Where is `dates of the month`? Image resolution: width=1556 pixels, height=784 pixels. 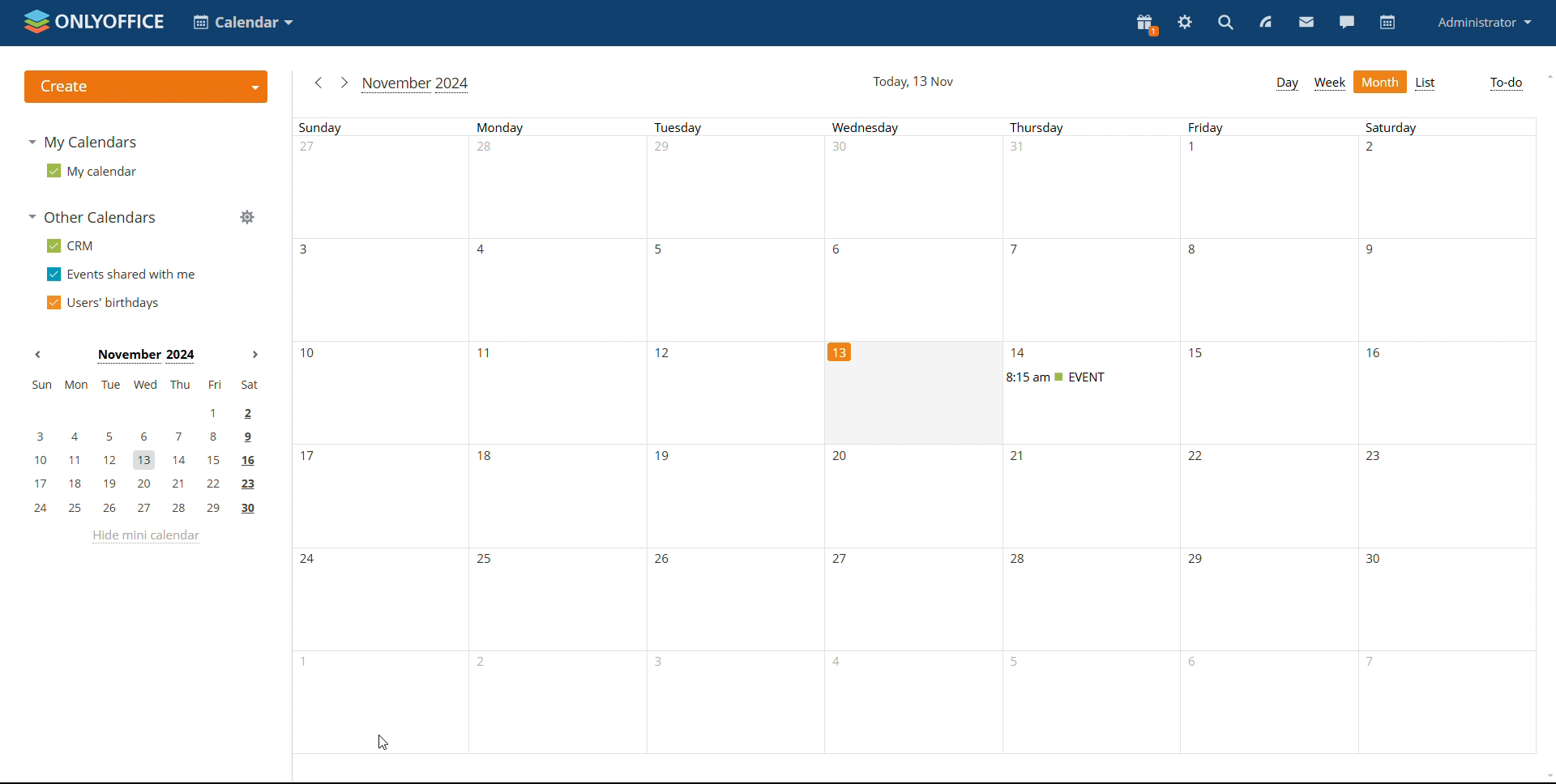
dates of the month is located at coordinates (925, 186).